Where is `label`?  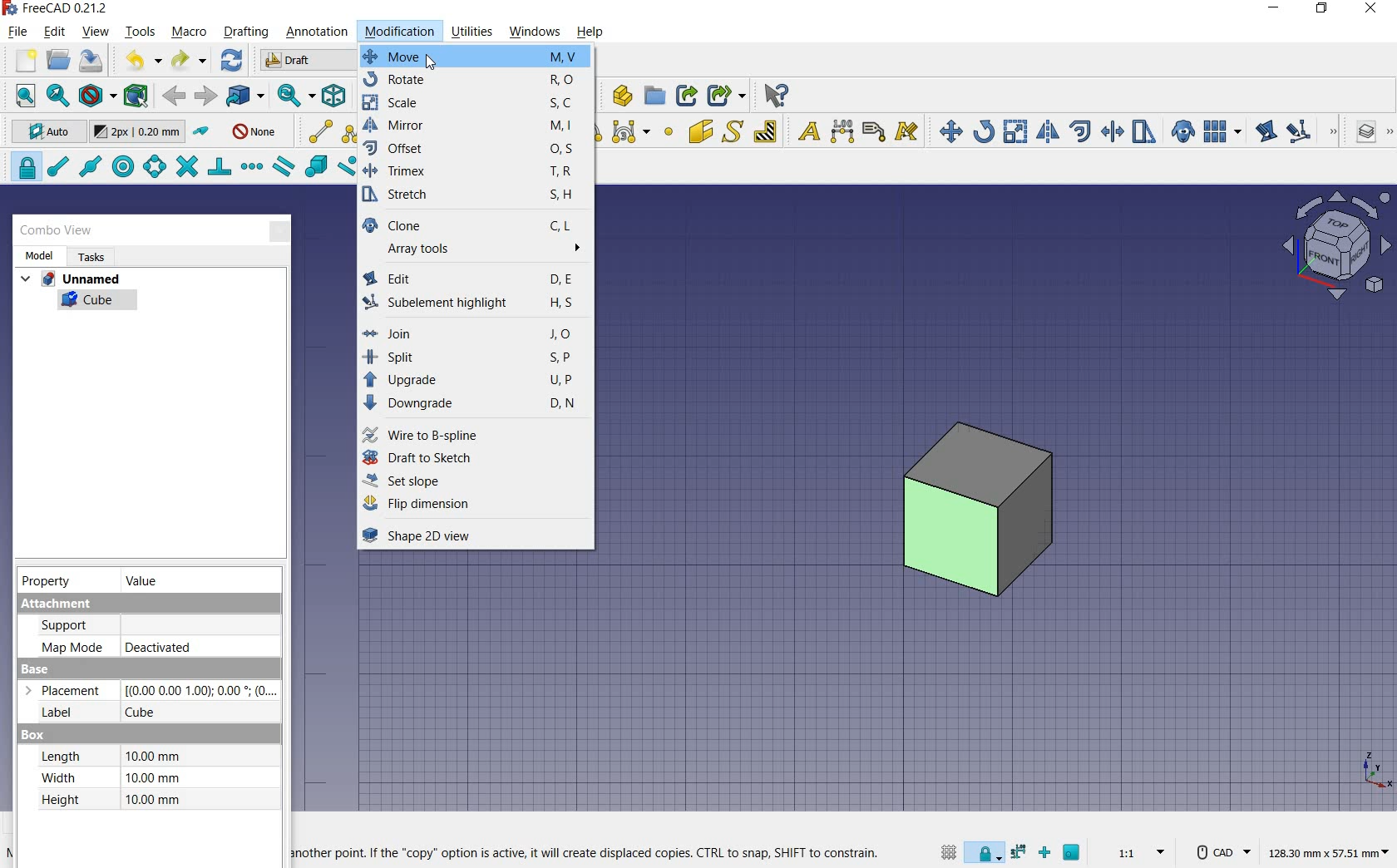
label is located at coordinates (874, 131).